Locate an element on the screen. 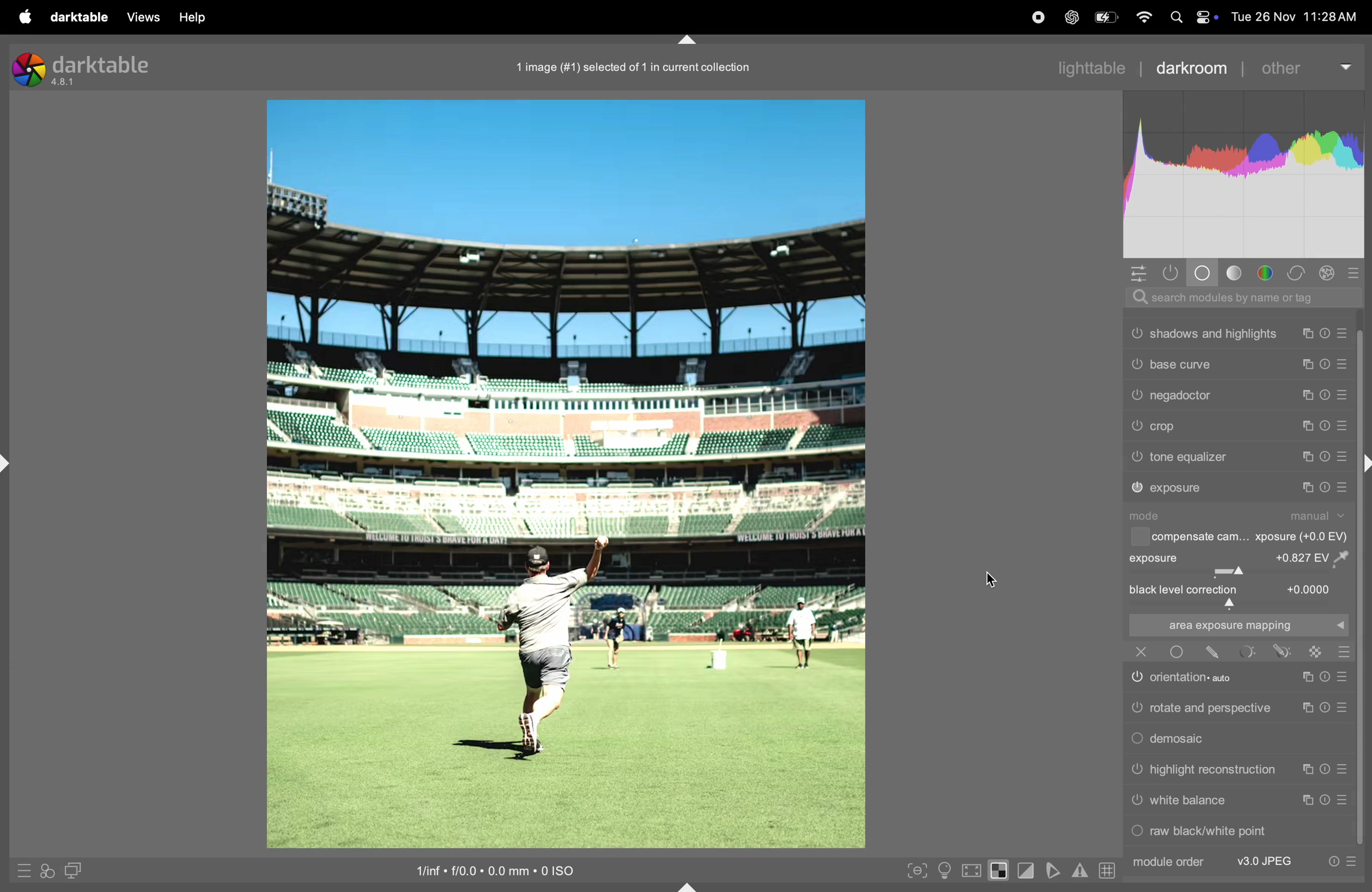  Switch on or off is located at coordinates (1136, 833).